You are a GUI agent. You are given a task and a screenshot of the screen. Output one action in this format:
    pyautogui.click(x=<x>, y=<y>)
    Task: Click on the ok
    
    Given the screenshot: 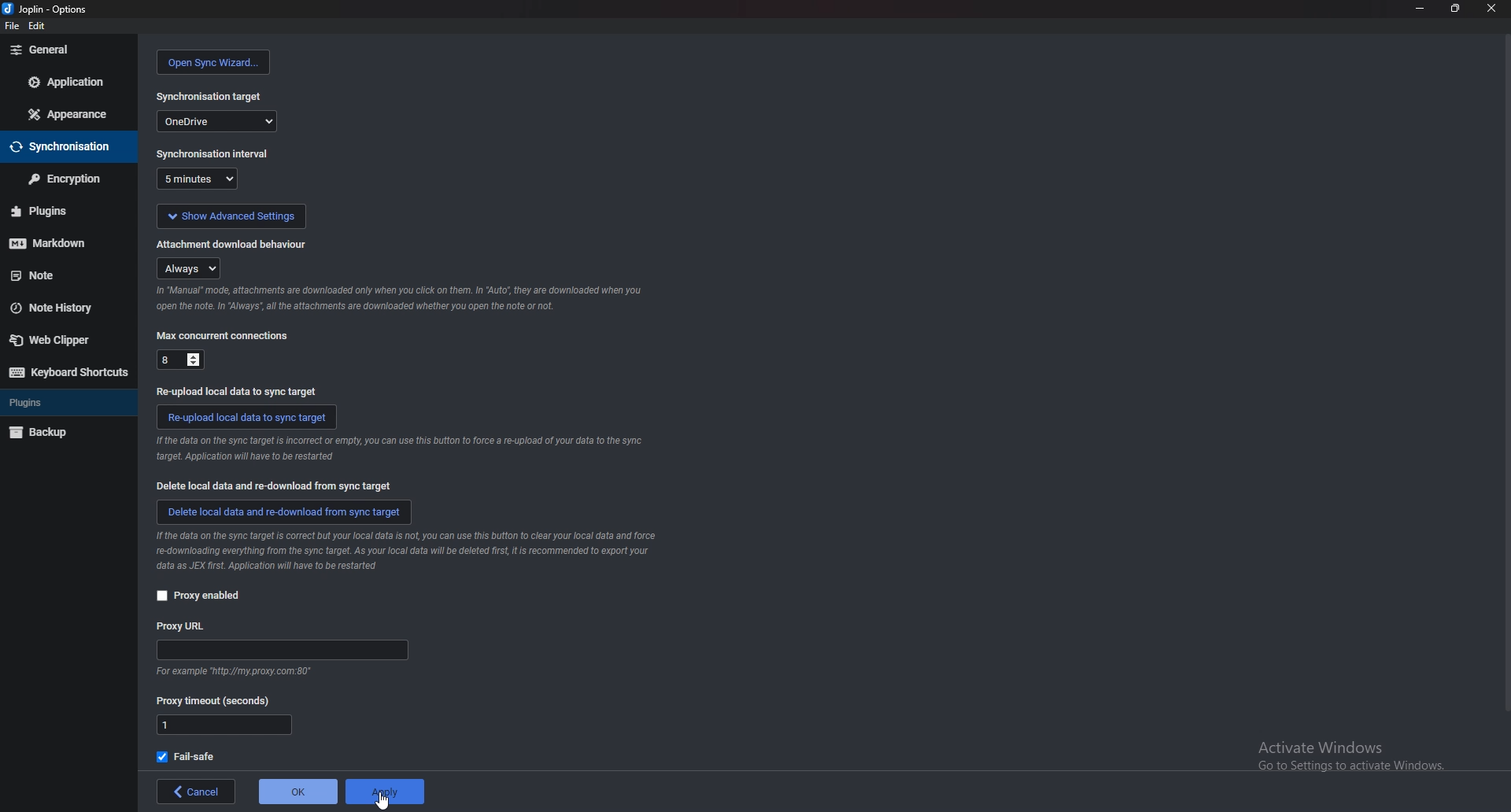 What is the action you would take?
    pyautogui.click(x=296, y=792)
    